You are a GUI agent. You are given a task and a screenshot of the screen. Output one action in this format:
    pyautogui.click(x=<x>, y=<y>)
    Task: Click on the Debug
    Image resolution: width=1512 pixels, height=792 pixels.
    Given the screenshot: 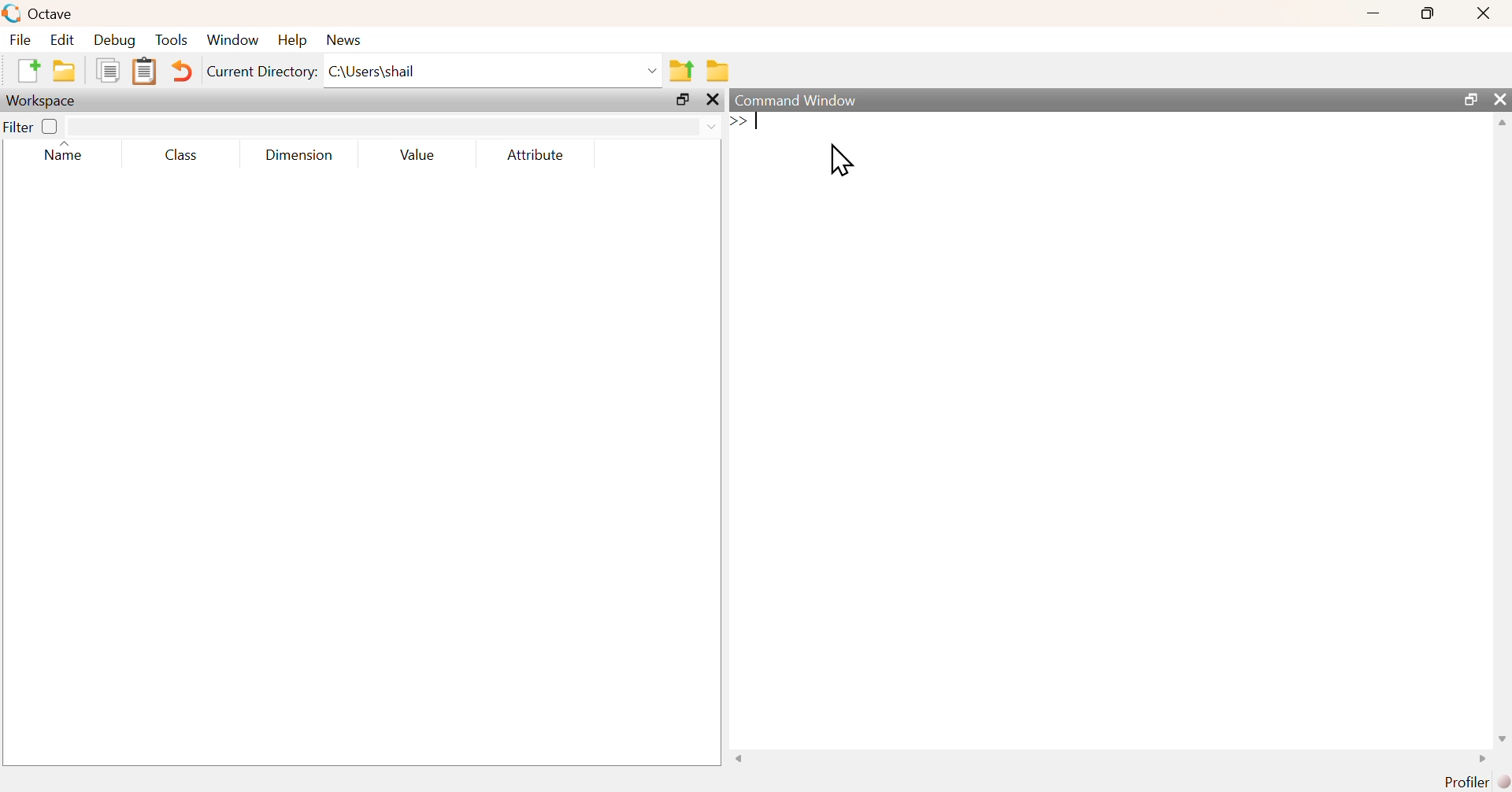 What is the action you would take?
    pyautogui.click(x=113, y=41)
    